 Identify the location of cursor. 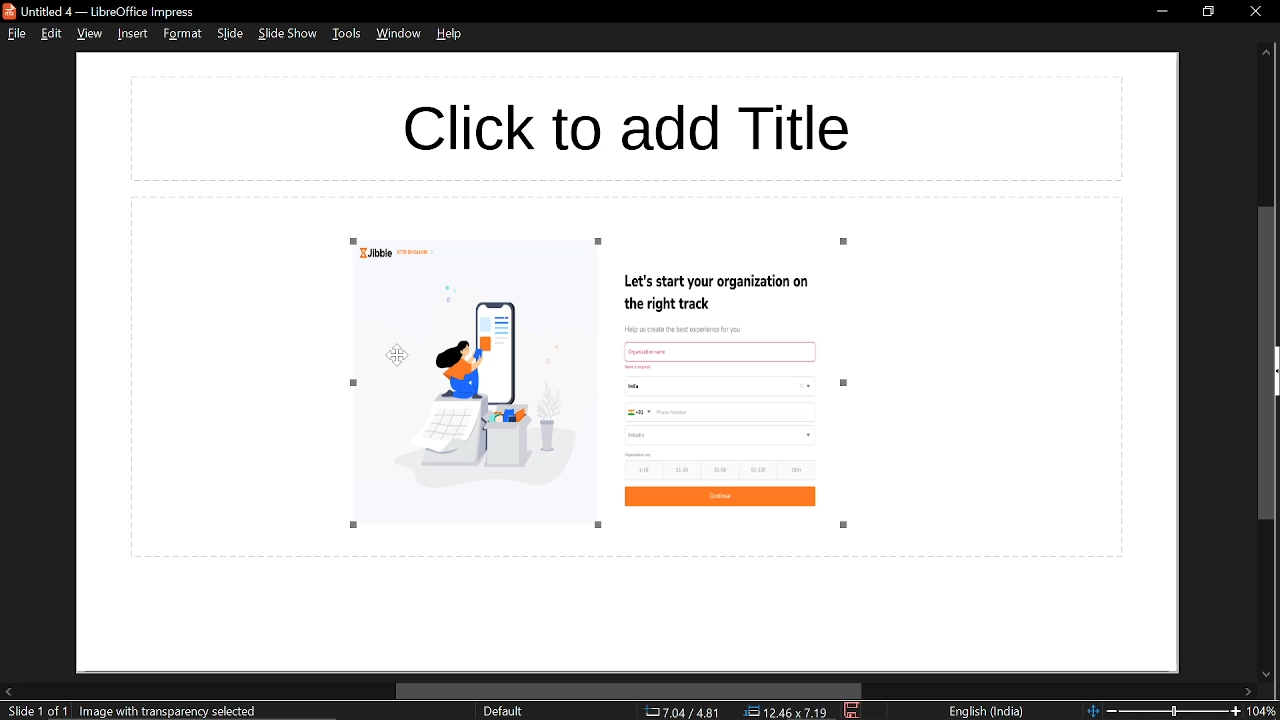
(399, 356).